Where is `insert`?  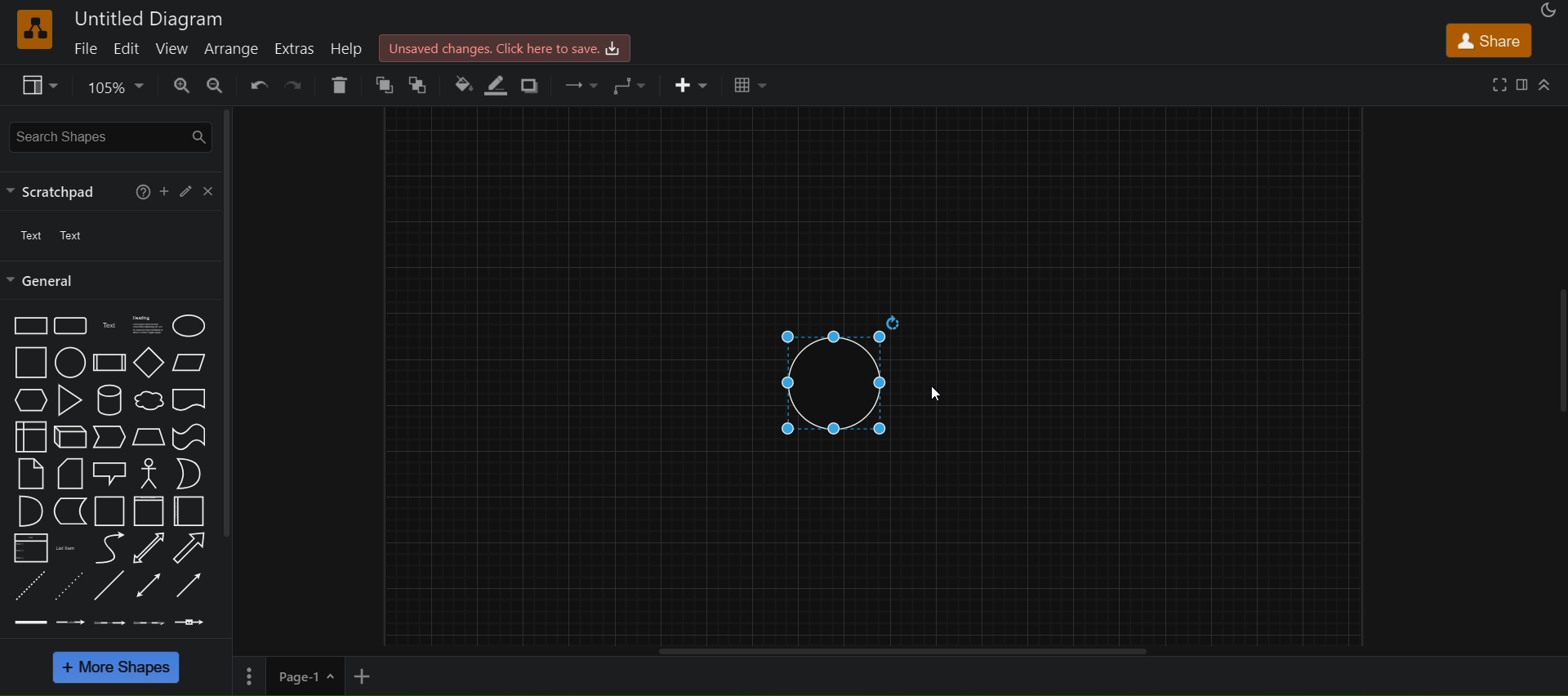
insert is located at coordinates (688, 83).